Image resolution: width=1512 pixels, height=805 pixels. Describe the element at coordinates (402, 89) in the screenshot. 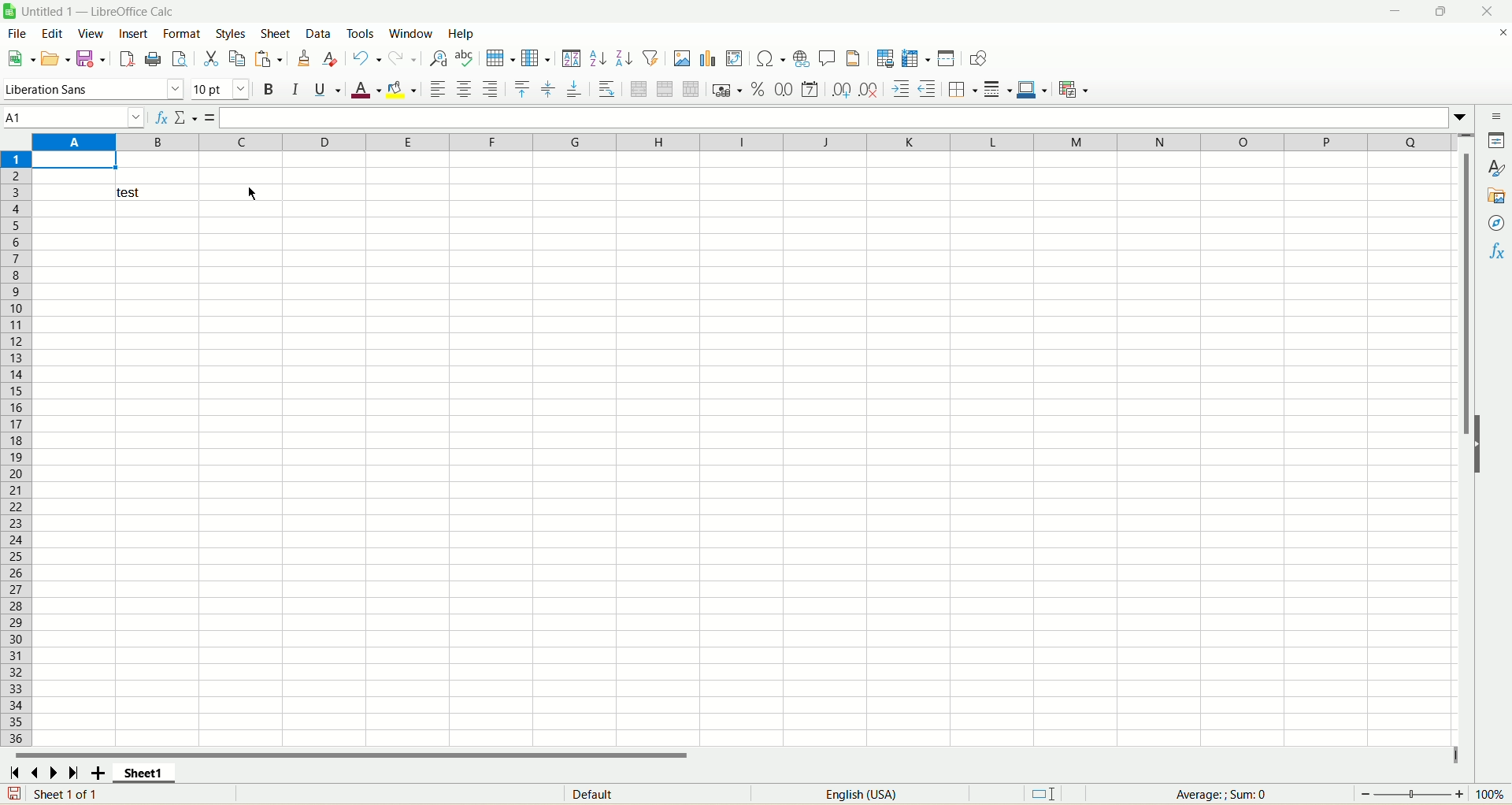

I see `background color` at that location.